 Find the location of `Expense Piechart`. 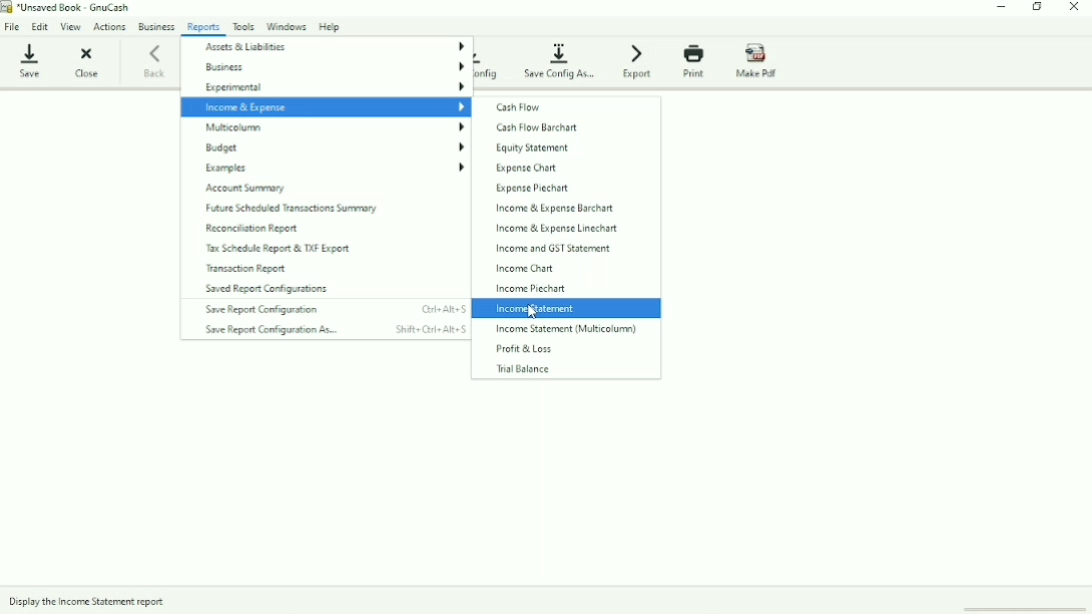

Expense Piechart is located at coordinates (532, 189).